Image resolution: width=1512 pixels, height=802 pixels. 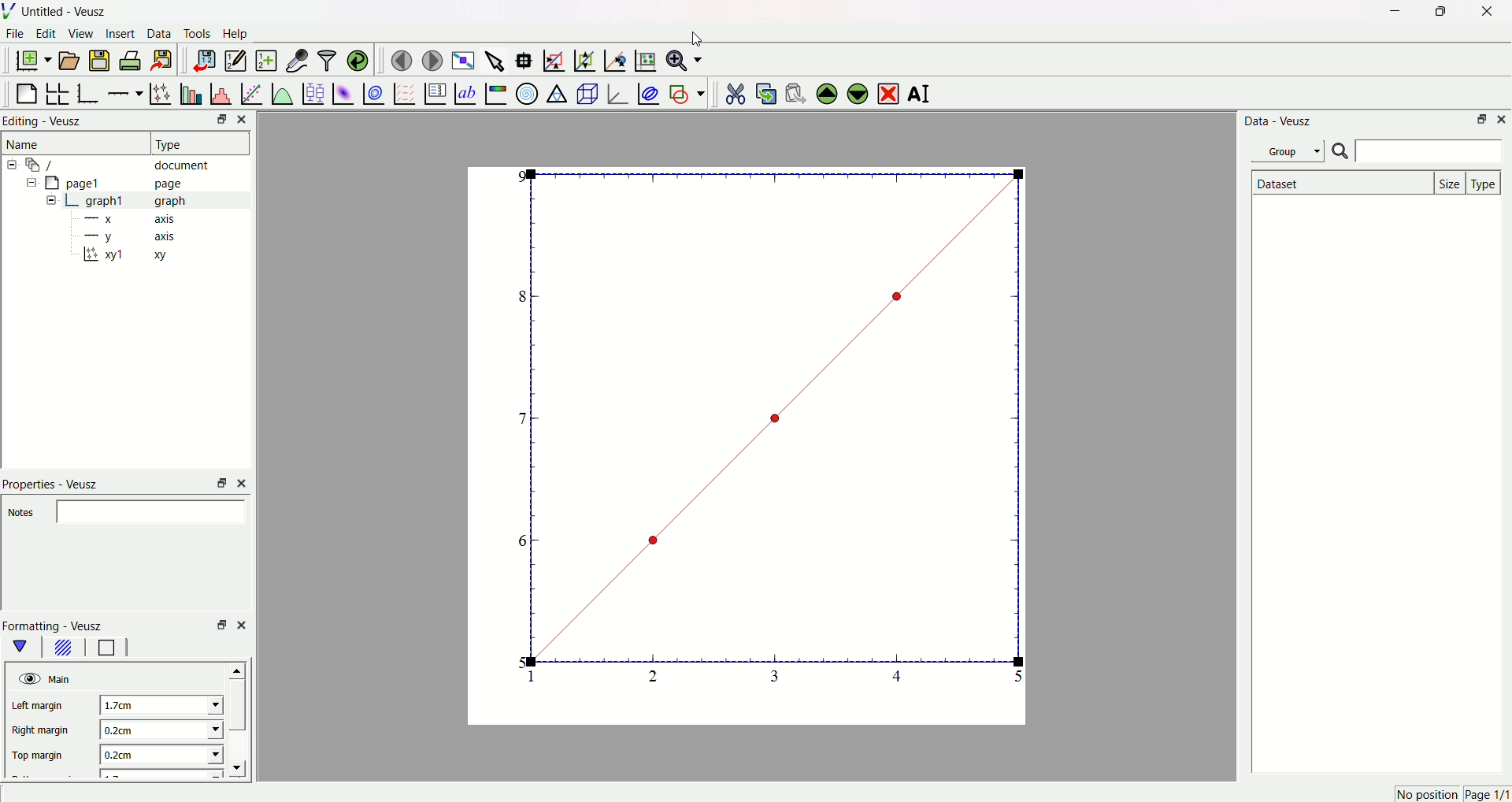 What do you see at coordinates (921, 95) in the screenshot?
I see `rename the widgets` at bounding box center [921, 95].